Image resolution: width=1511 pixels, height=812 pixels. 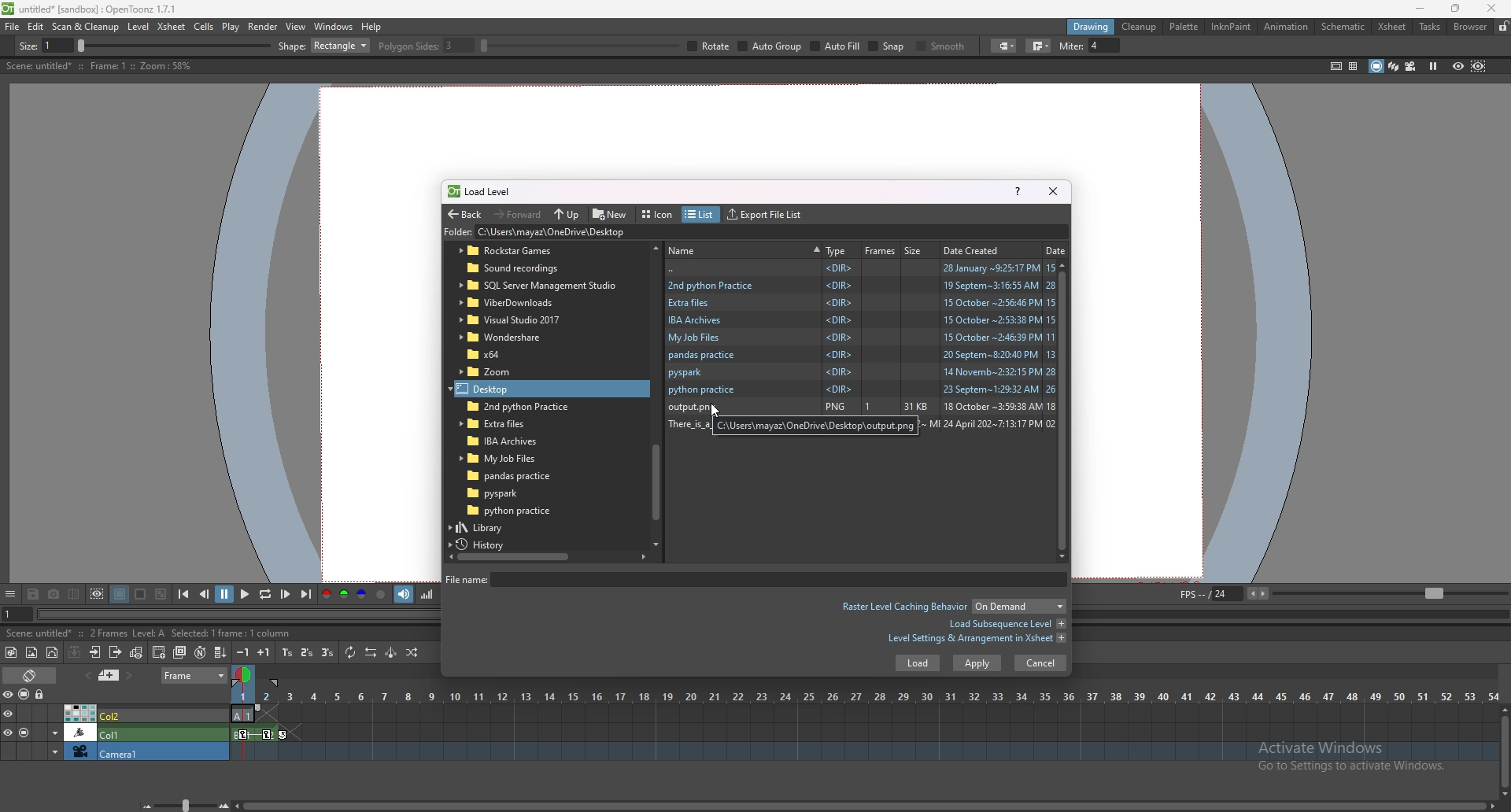 What do you see at coordinates (615, 233) in the screenshot?
I see `folder` at bounding box center [615, 233].